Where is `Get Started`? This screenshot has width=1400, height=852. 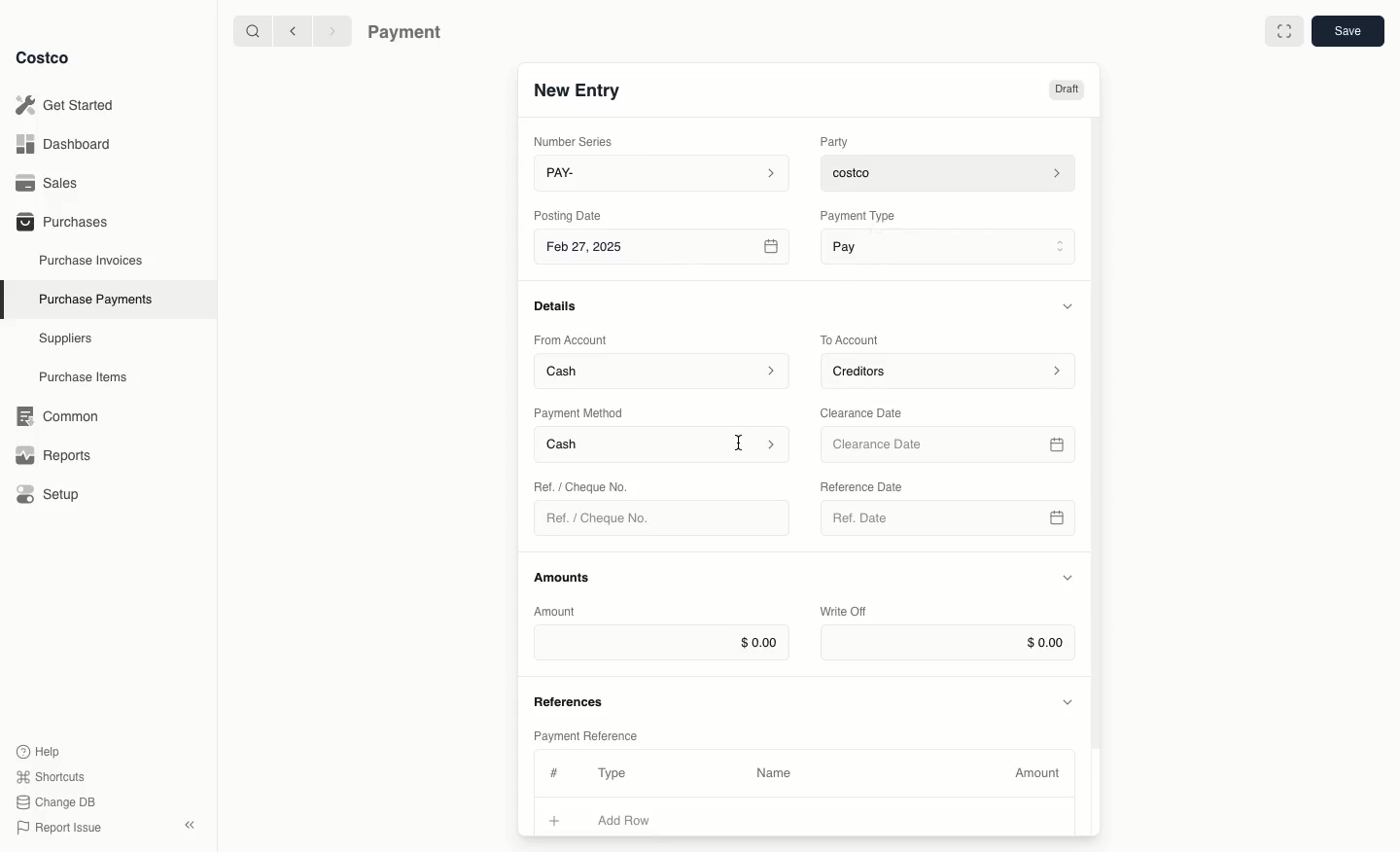 Get Started is located at coordinates (69, 105).